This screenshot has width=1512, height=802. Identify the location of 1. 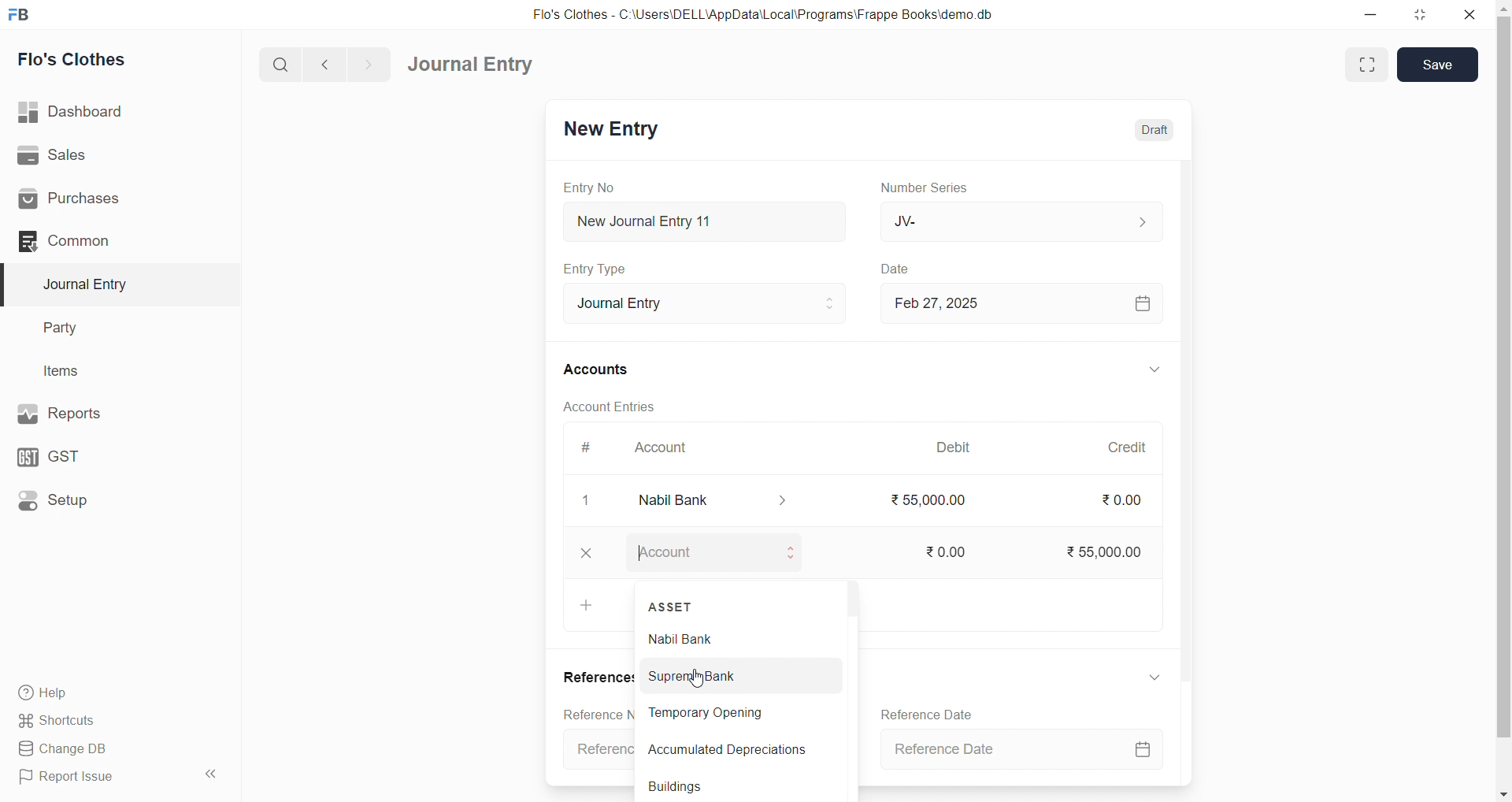
(594, 501).